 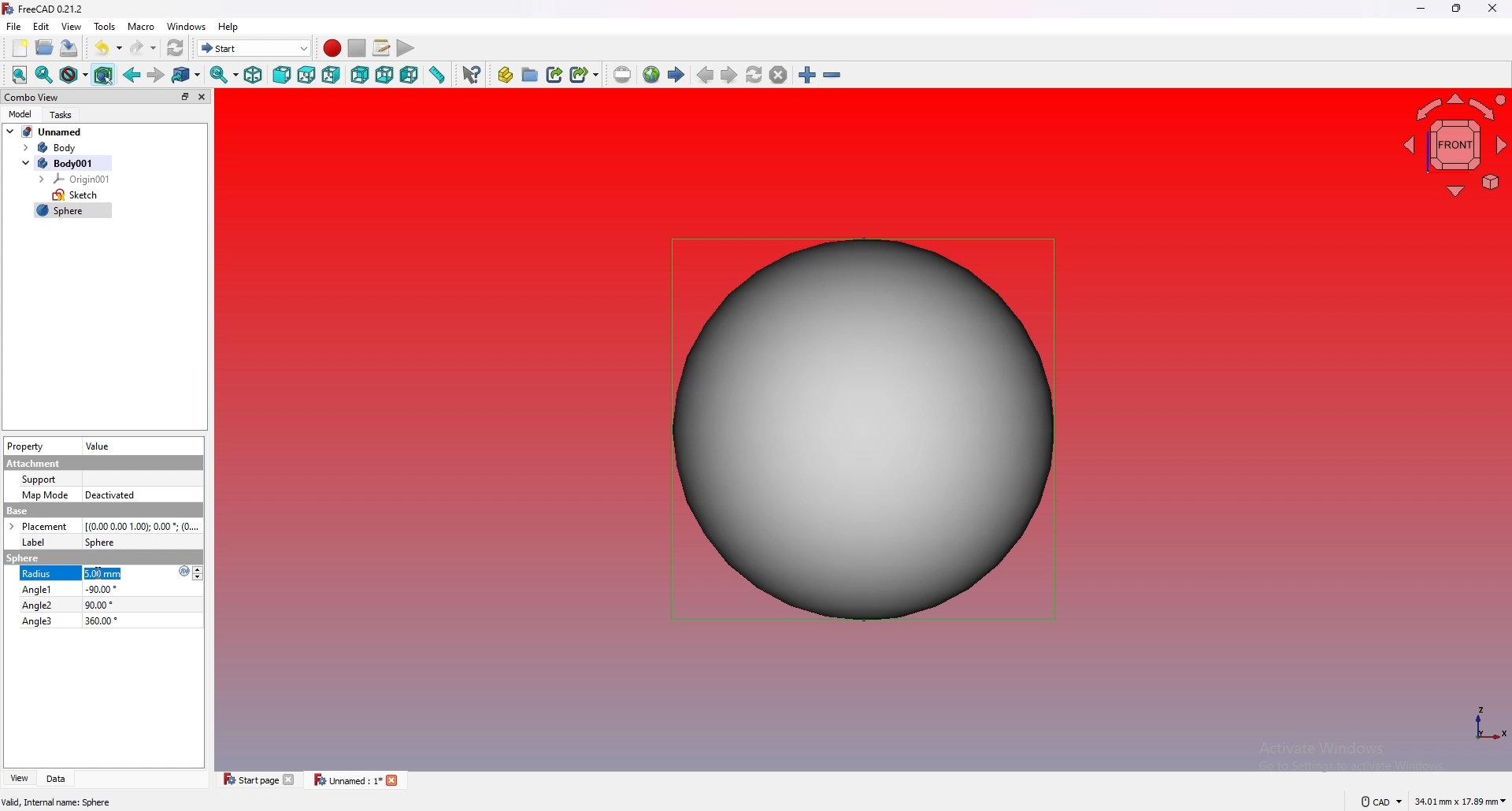 What do you see at coordinates (34, 464) in the screenshot?
I see `Attachment` at bounding box center [34, 464].